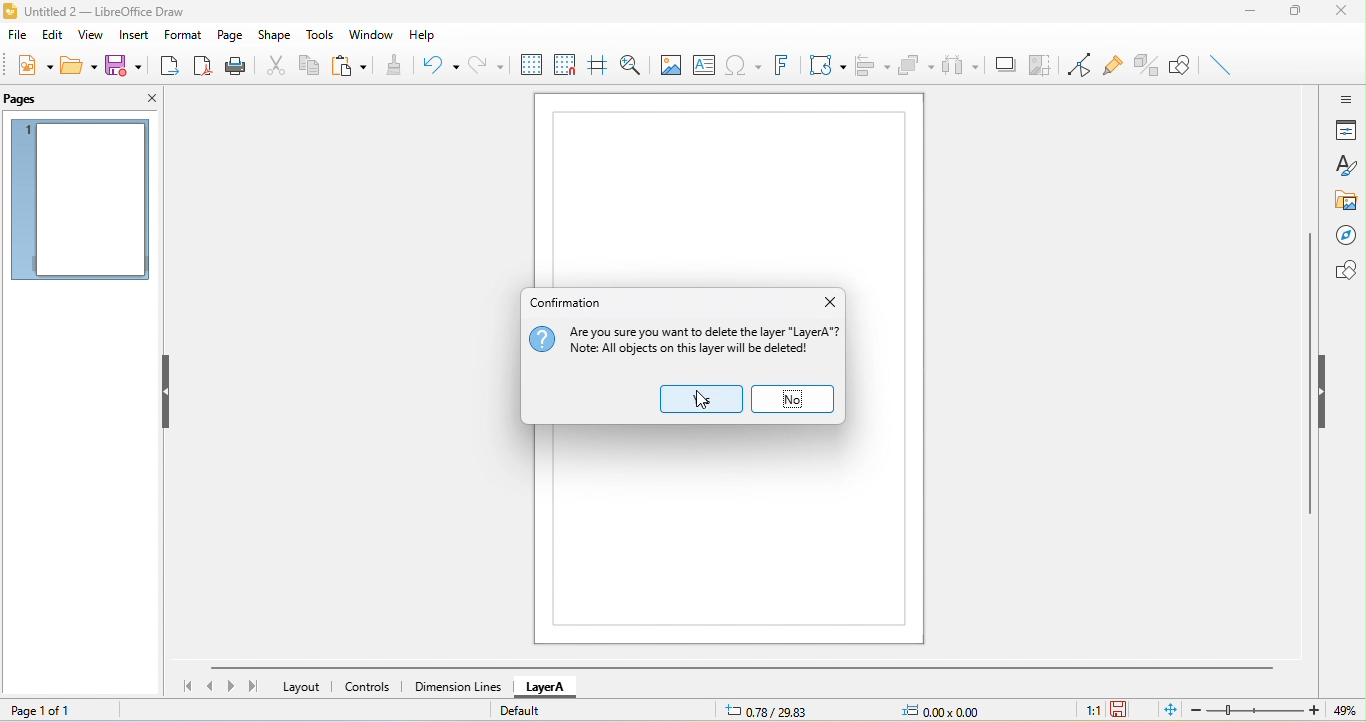  I want to click on edit, so click(53, 33).